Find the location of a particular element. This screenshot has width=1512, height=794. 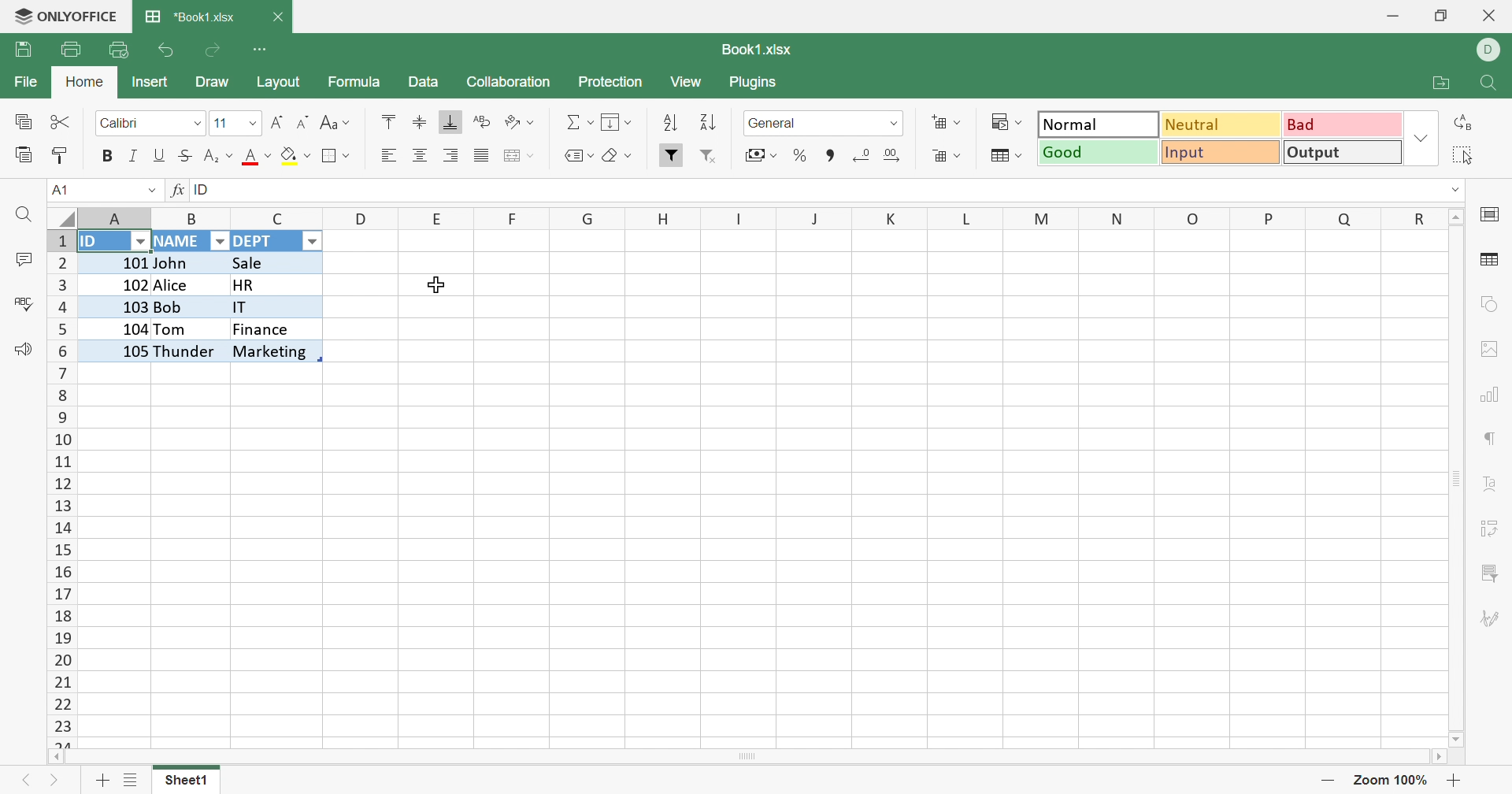

Data is located at coordinates (426, 82).